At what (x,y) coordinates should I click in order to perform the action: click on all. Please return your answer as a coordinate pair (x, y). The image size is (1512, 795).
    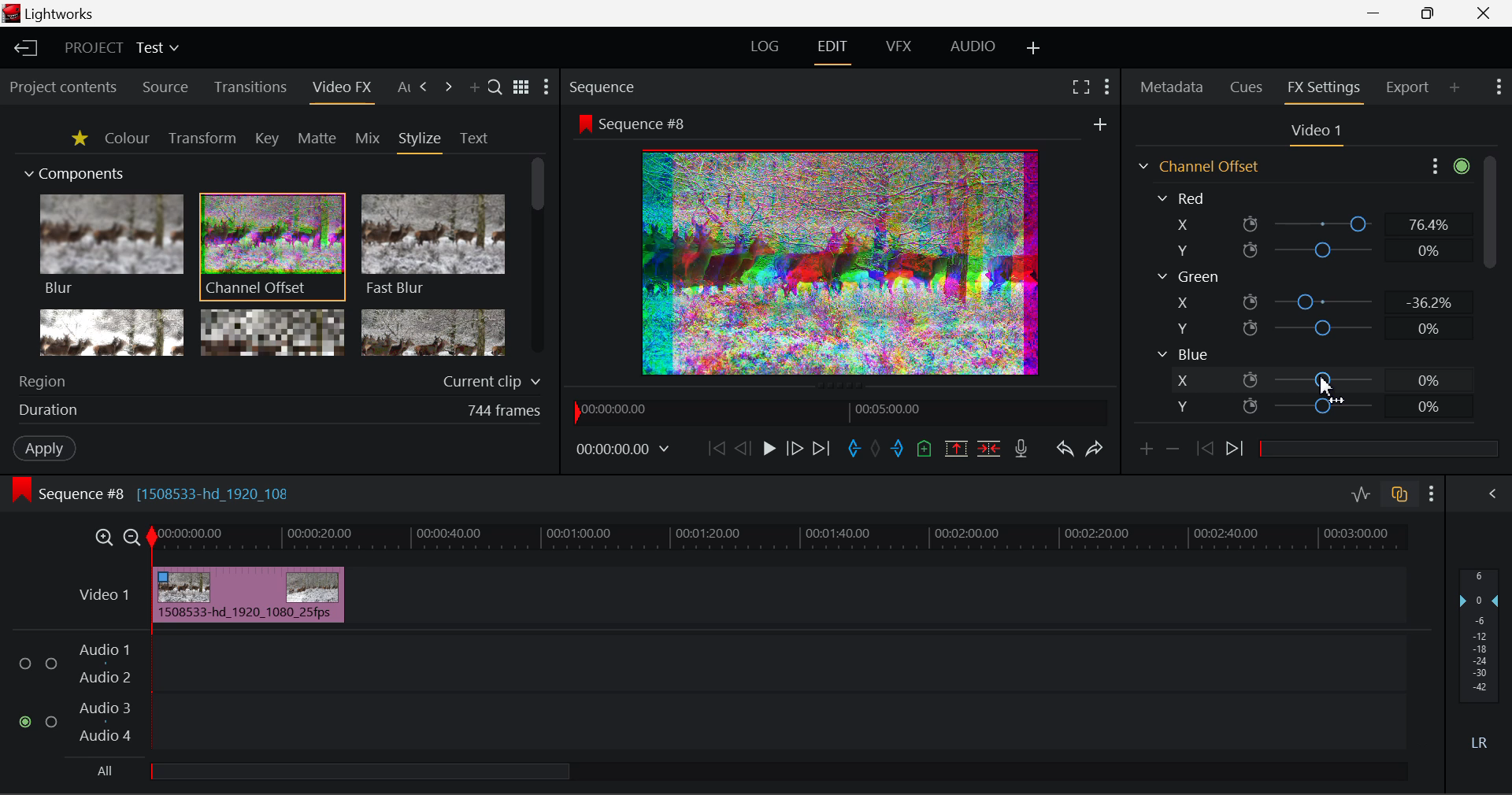
    Looking at the image, I should click on (324, 771).